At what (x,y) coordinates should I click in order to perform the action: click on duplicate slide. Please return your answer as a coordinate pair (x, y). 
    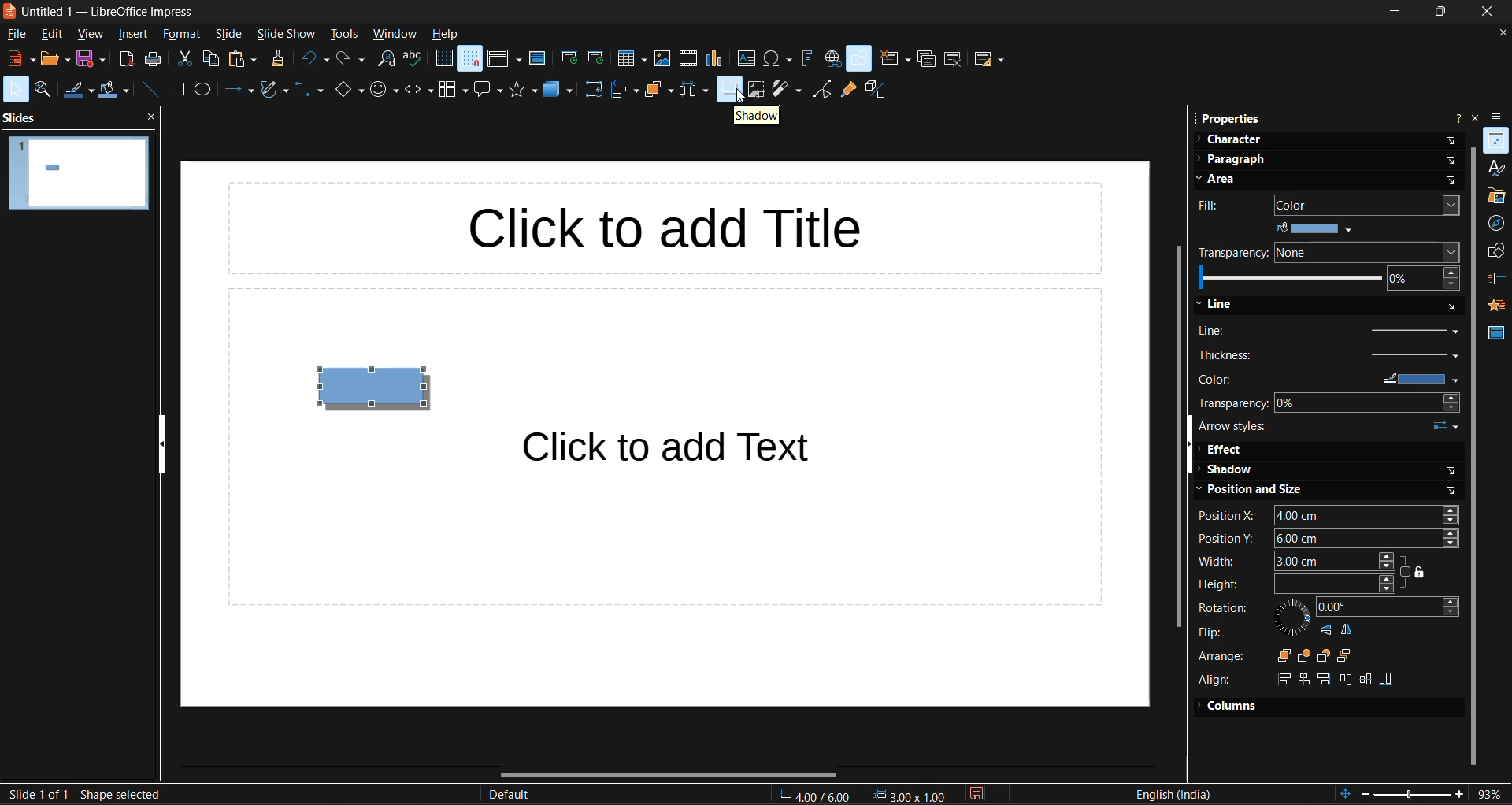
    Looking at the image, I should click on (925, 60).